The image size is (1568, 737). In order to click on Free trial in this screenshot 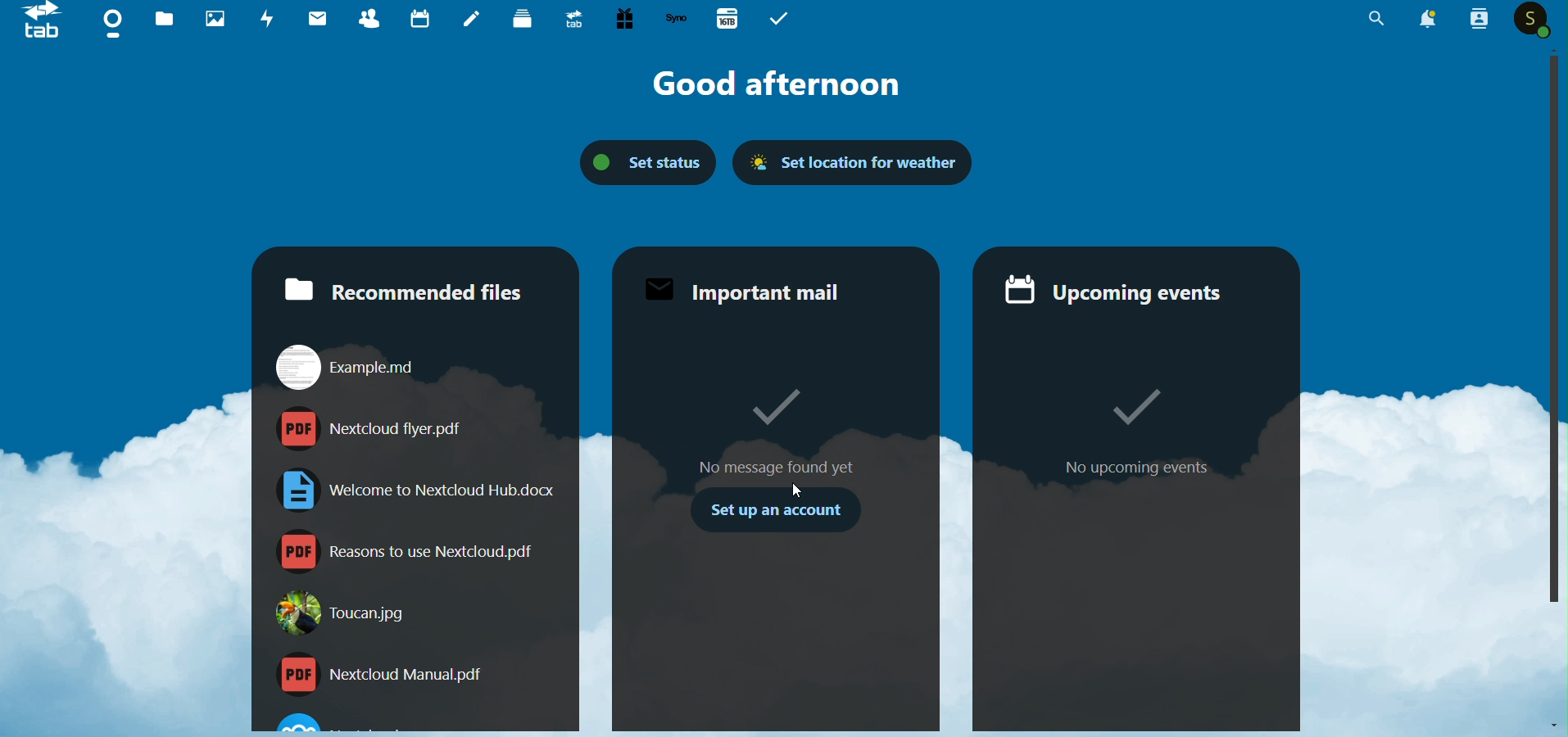, I will do `click(620, 20)`.